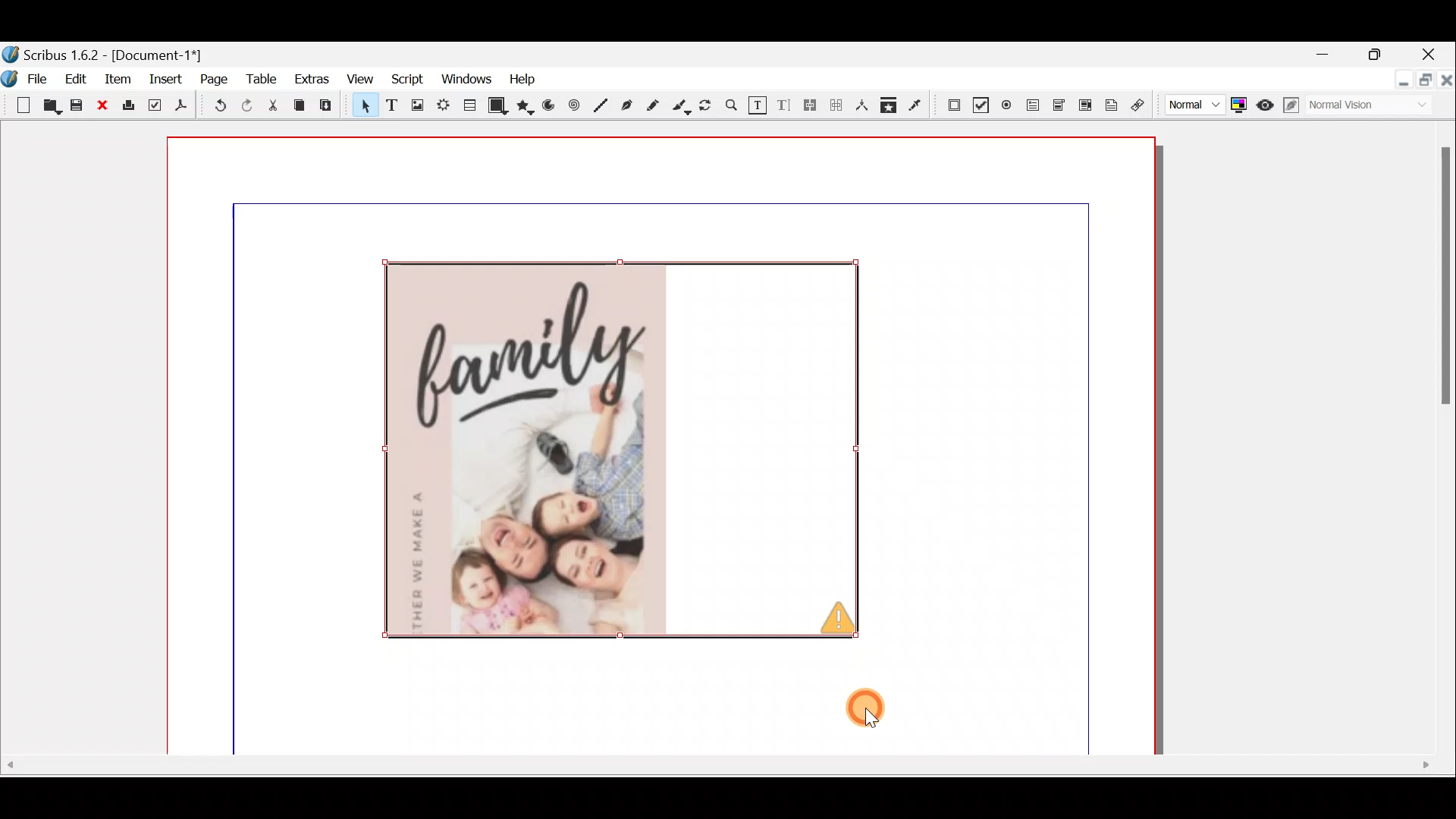 The width and height of the screenshot is (1456, 819). What do you see at coordinates (391, 106) in the screenshot?
I see `Text frame` at bounding box center [391, 106].